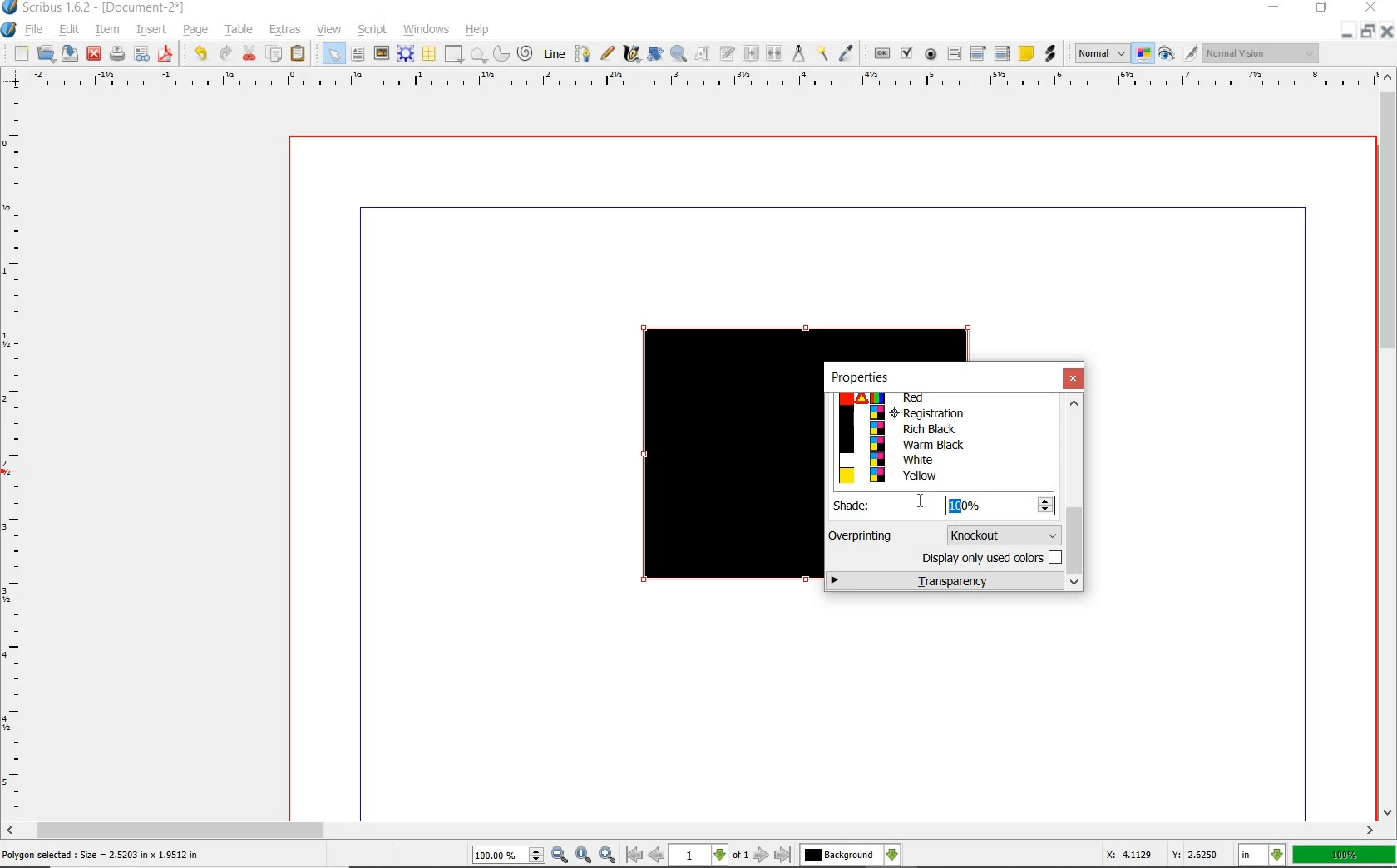 The height and width of the screenshot is (868, 1397). I want to click on copy item properties, so click(822, 56).